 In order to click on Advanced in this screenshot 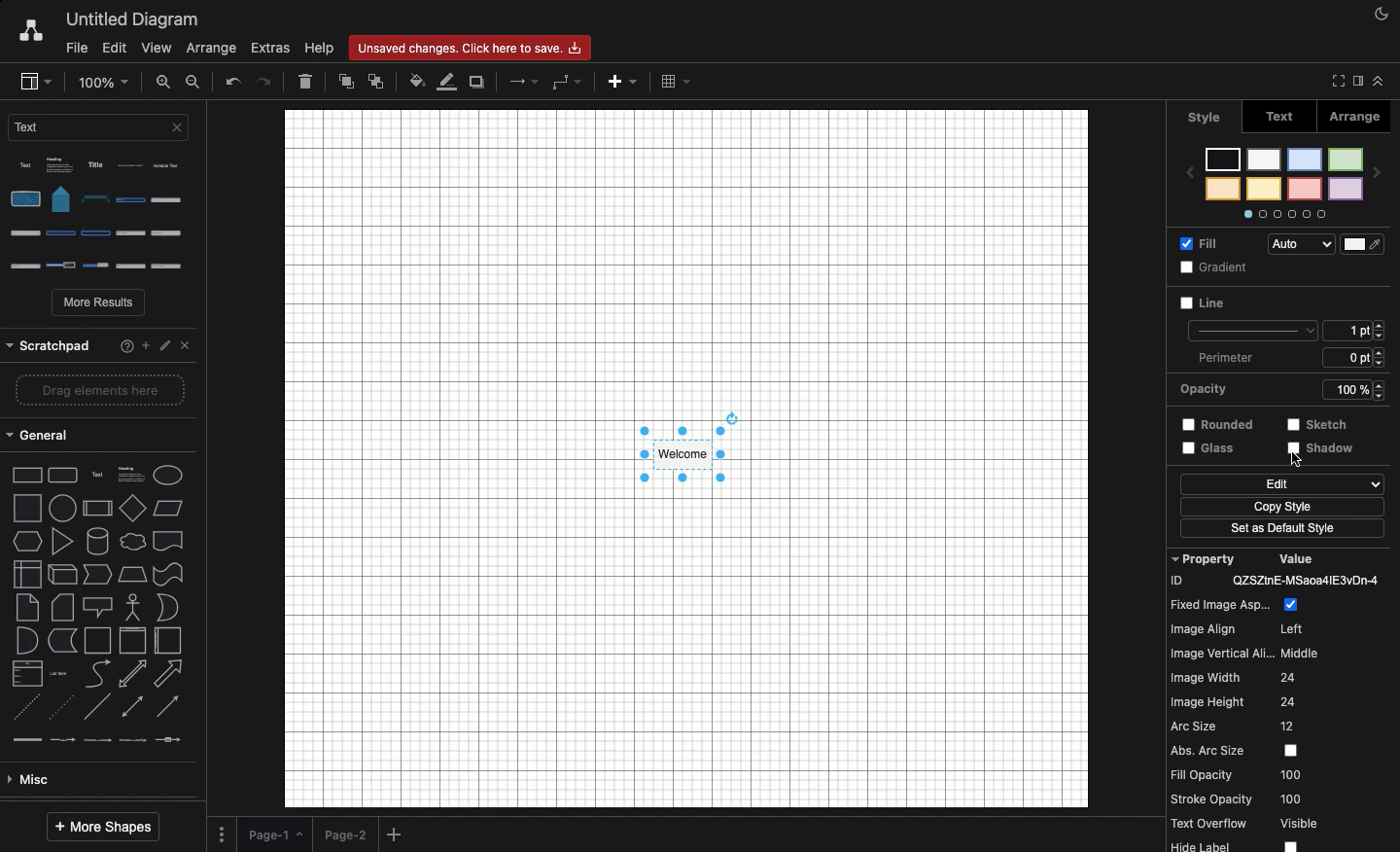, I will do `click(94, 639)`.